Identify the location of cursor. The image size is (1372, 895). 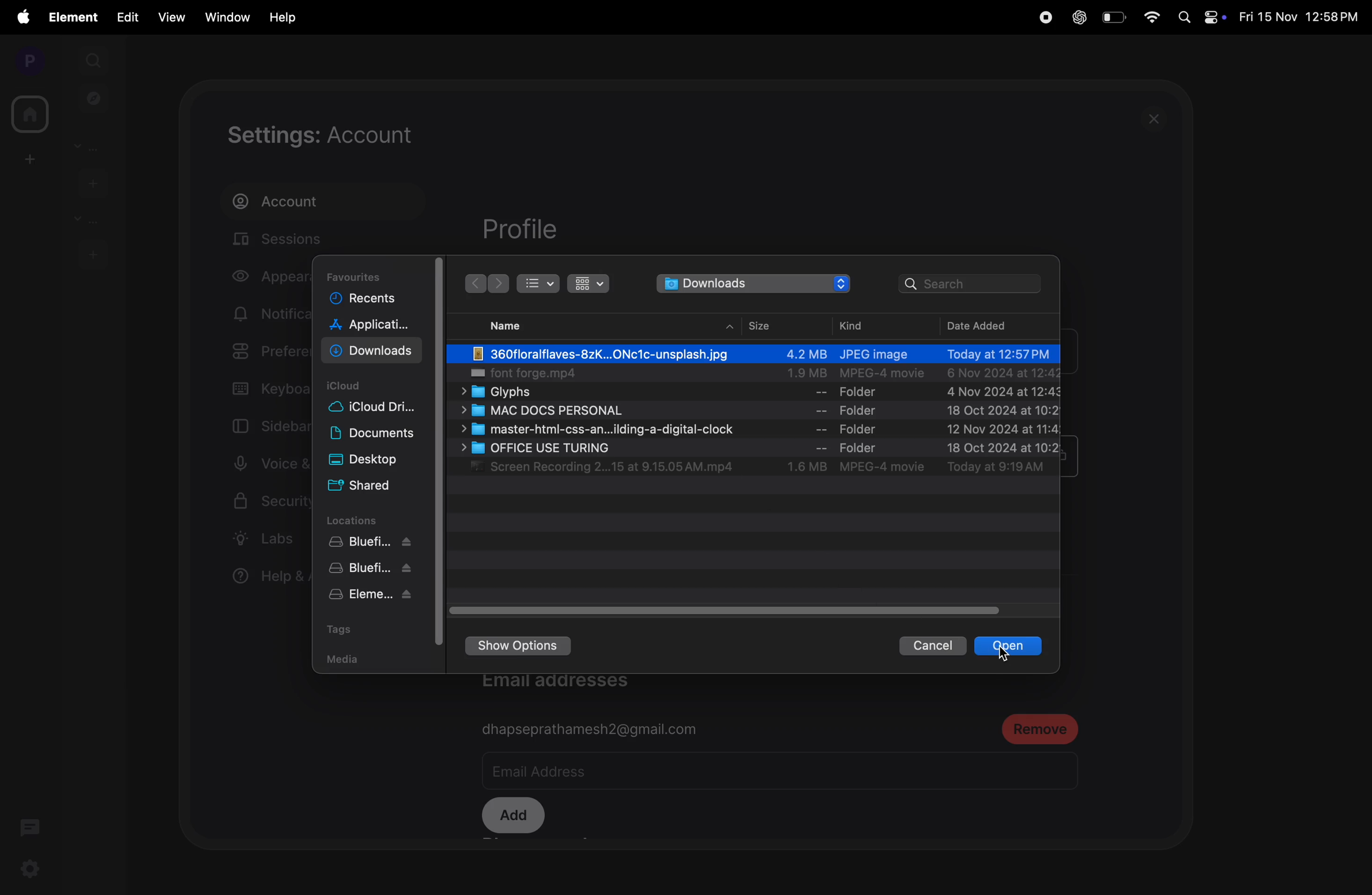
(1009, 652).